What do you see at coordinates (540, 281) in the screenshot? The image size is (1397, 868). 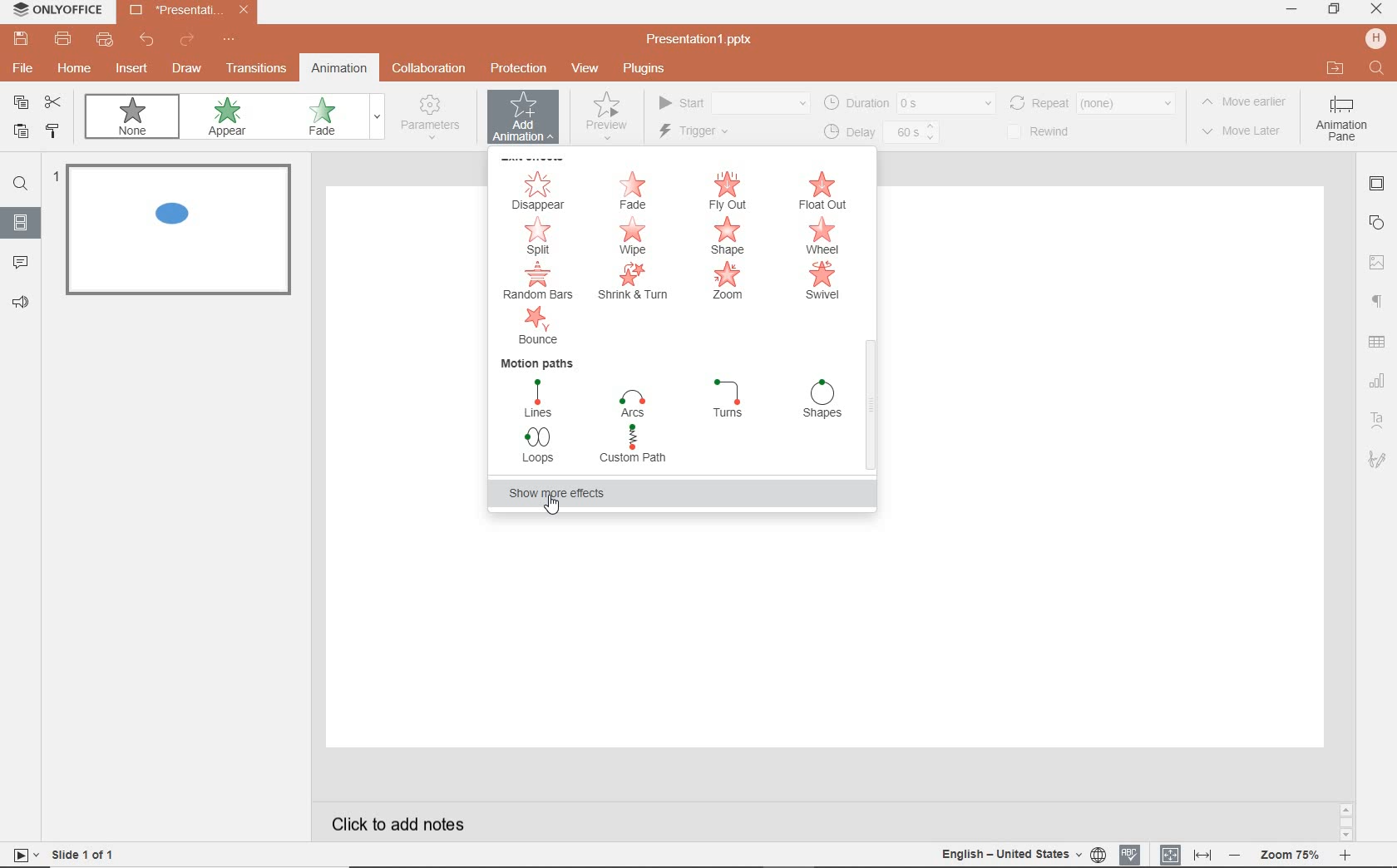 I see `RANDOM BARS` at bounding box center [540, 281].